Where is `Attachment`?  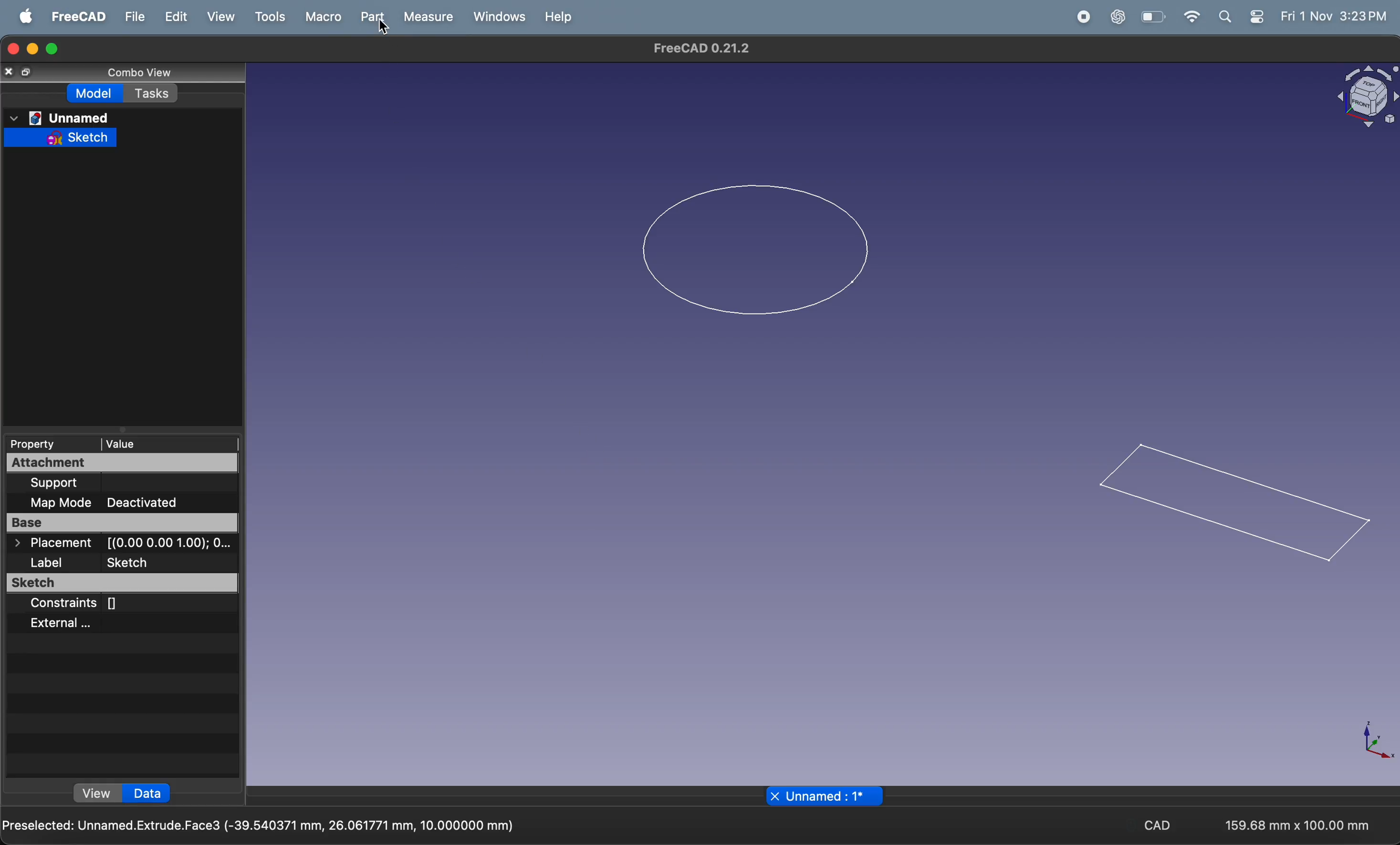 Attachment is located at coordinates (122, 463).